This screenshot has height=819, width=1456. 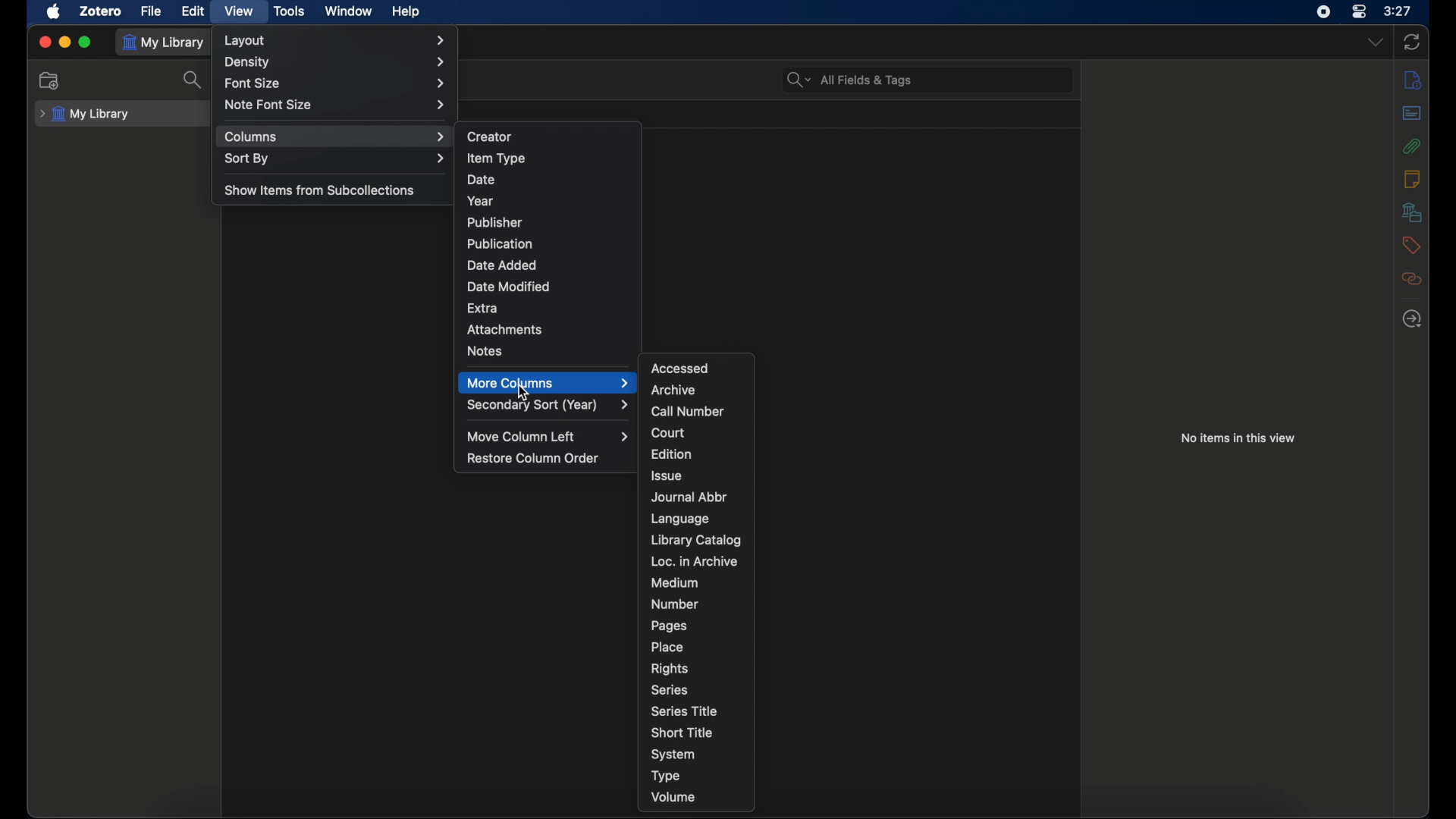 What do you see at coordinates (482, 180) in the screenshot?
I see `date` at bounding box center [482, 180].